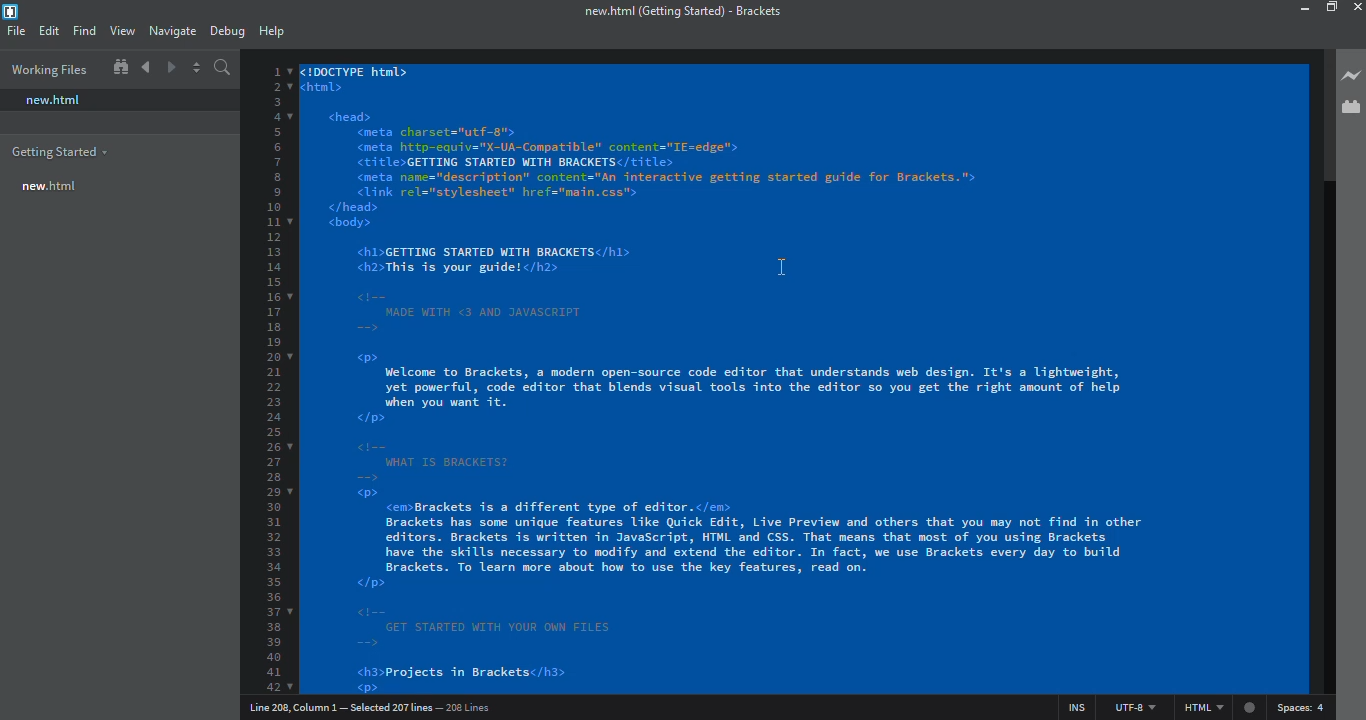  I want to click on split editor, so click(195, 67).